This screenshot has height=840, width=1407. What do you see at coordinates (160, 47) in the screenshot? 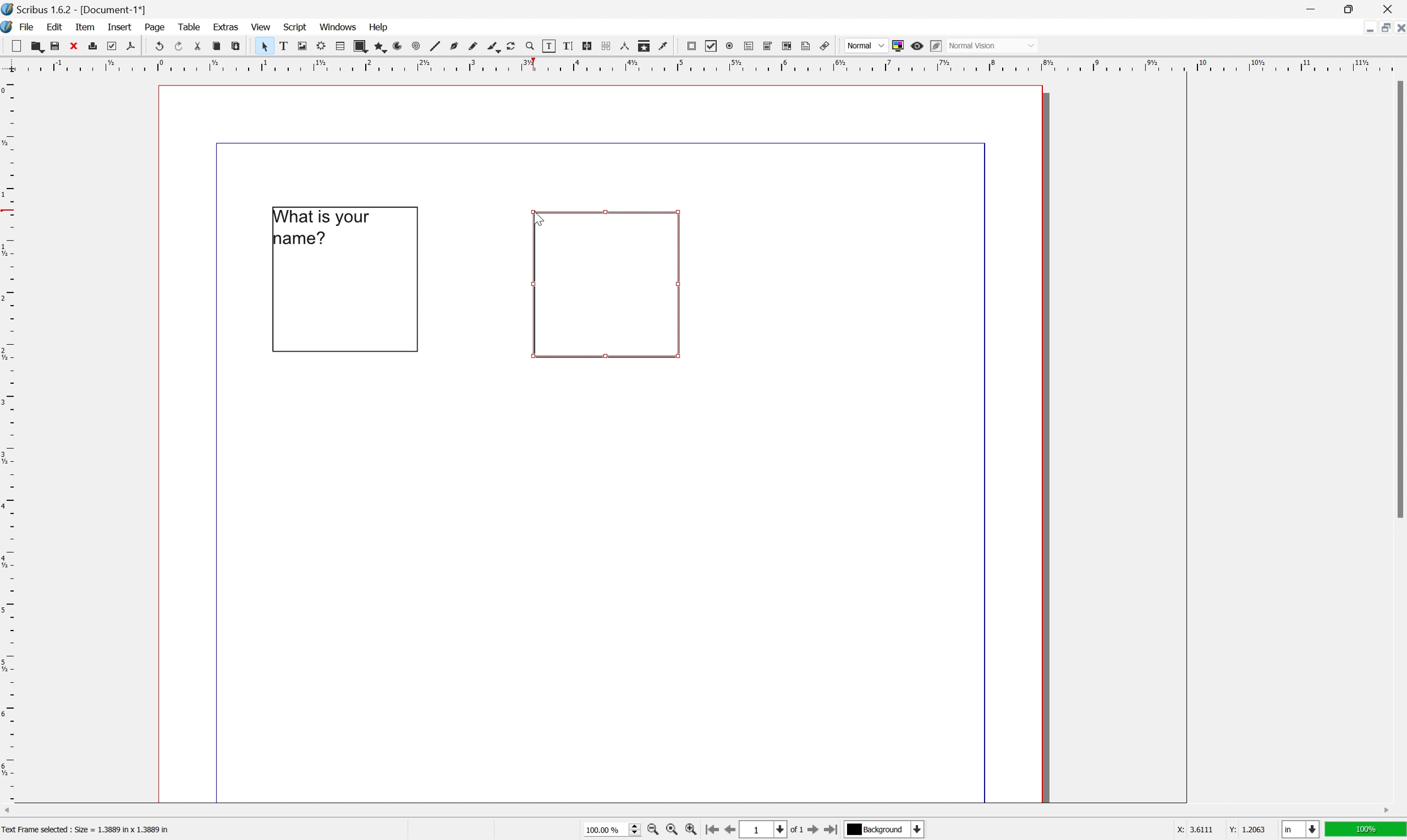
I see `undo` at bounding box center [160, 47].